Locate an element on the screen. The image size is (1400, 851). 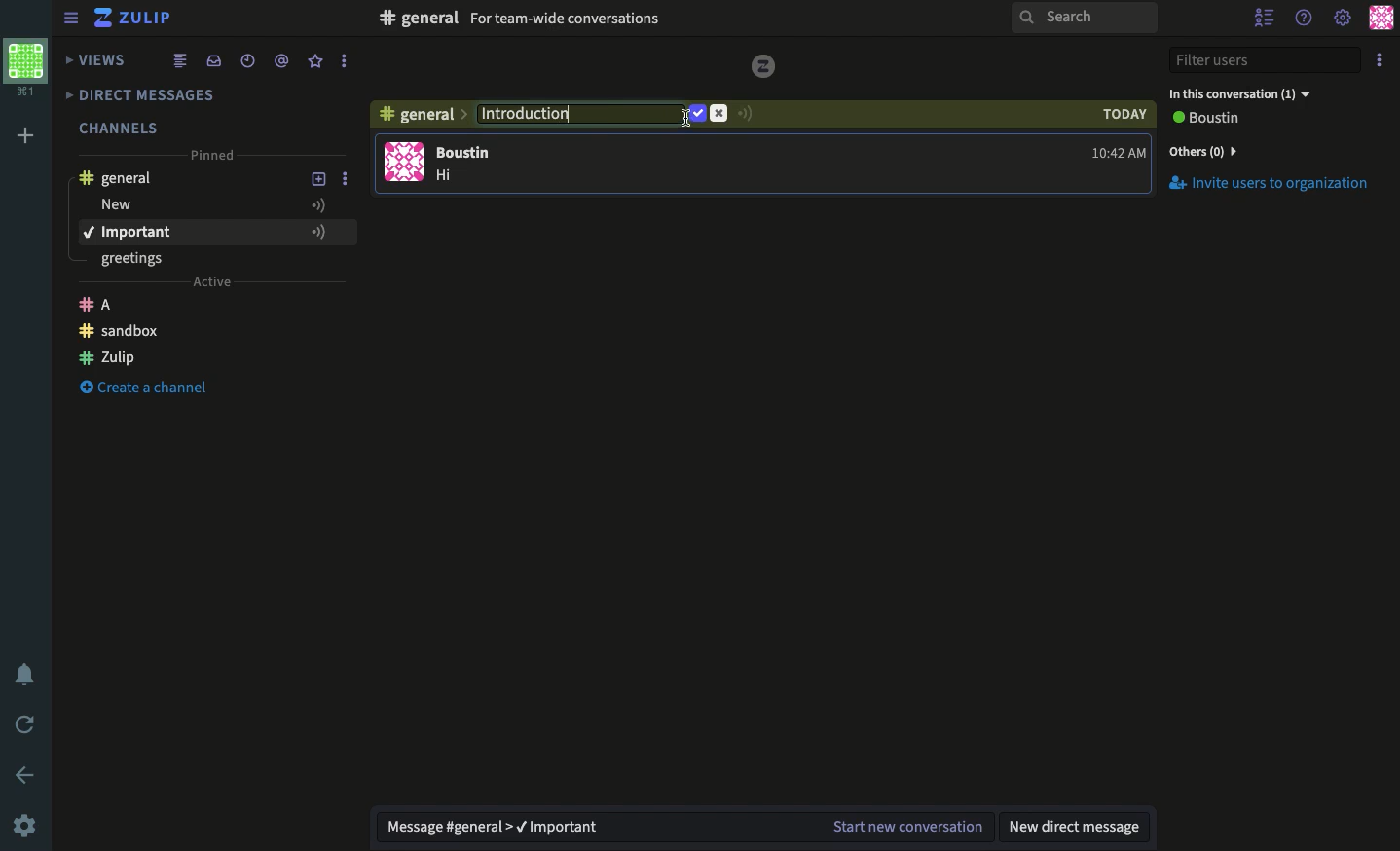
Add is located at coordinates (319, 203).